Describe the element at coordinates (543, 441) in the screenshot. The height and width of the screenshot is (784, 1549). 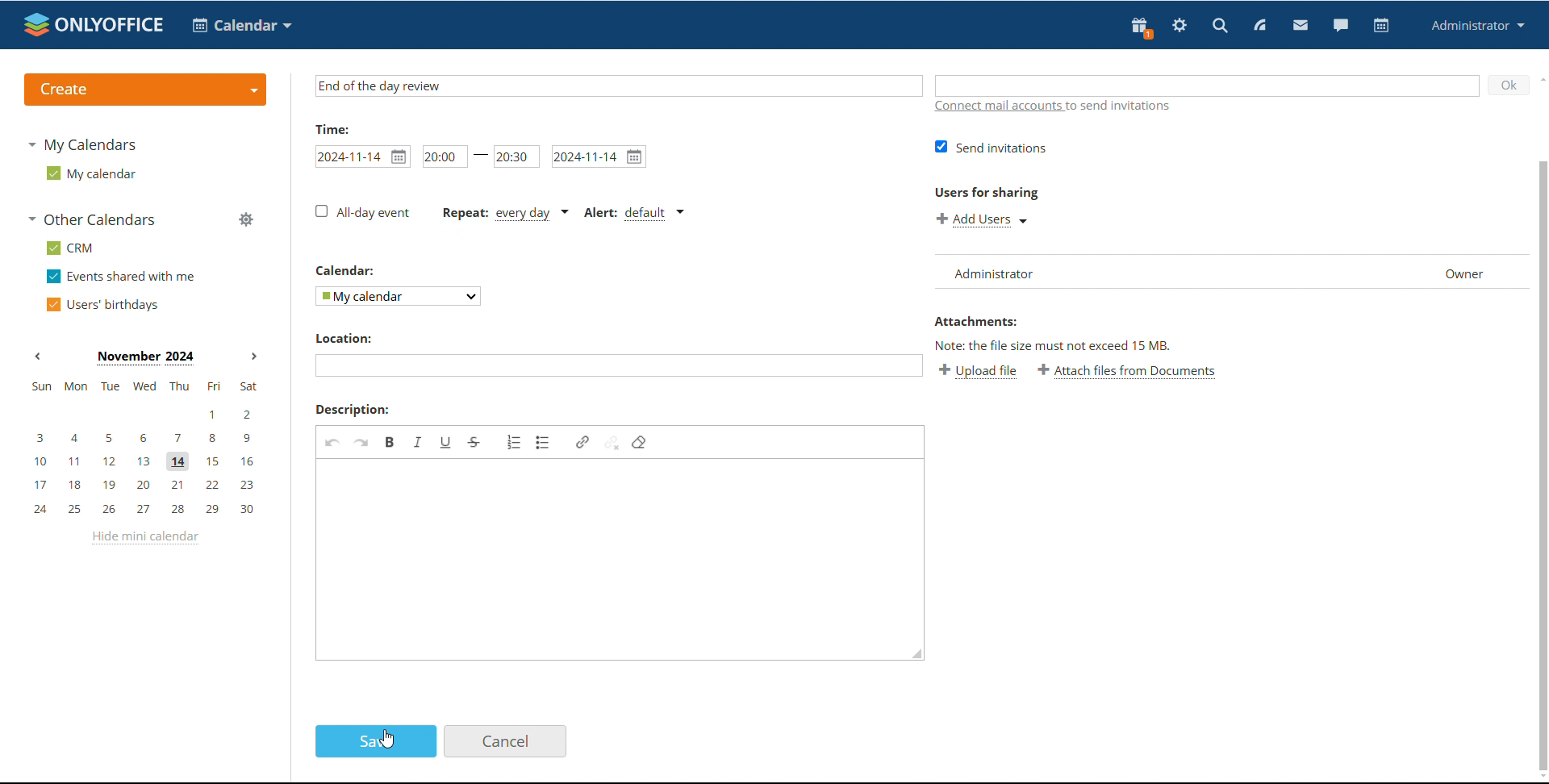
I see `Insert or remove bulleted list` at that location.